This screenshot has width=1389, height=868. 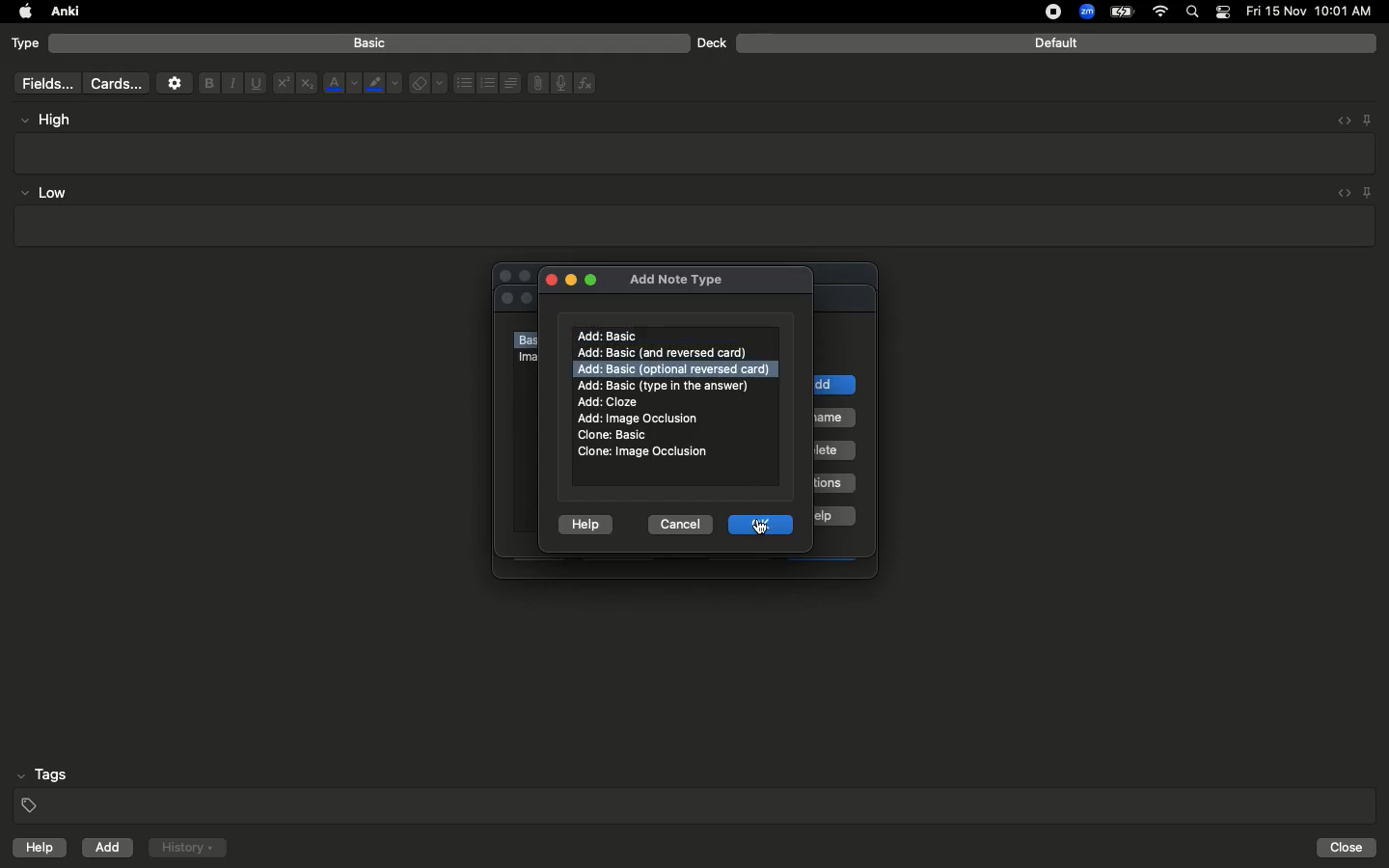 What do you see at coordinates (1315, 11) in the screenshot?
I see `date and time` at bounding box center [1315, 11].